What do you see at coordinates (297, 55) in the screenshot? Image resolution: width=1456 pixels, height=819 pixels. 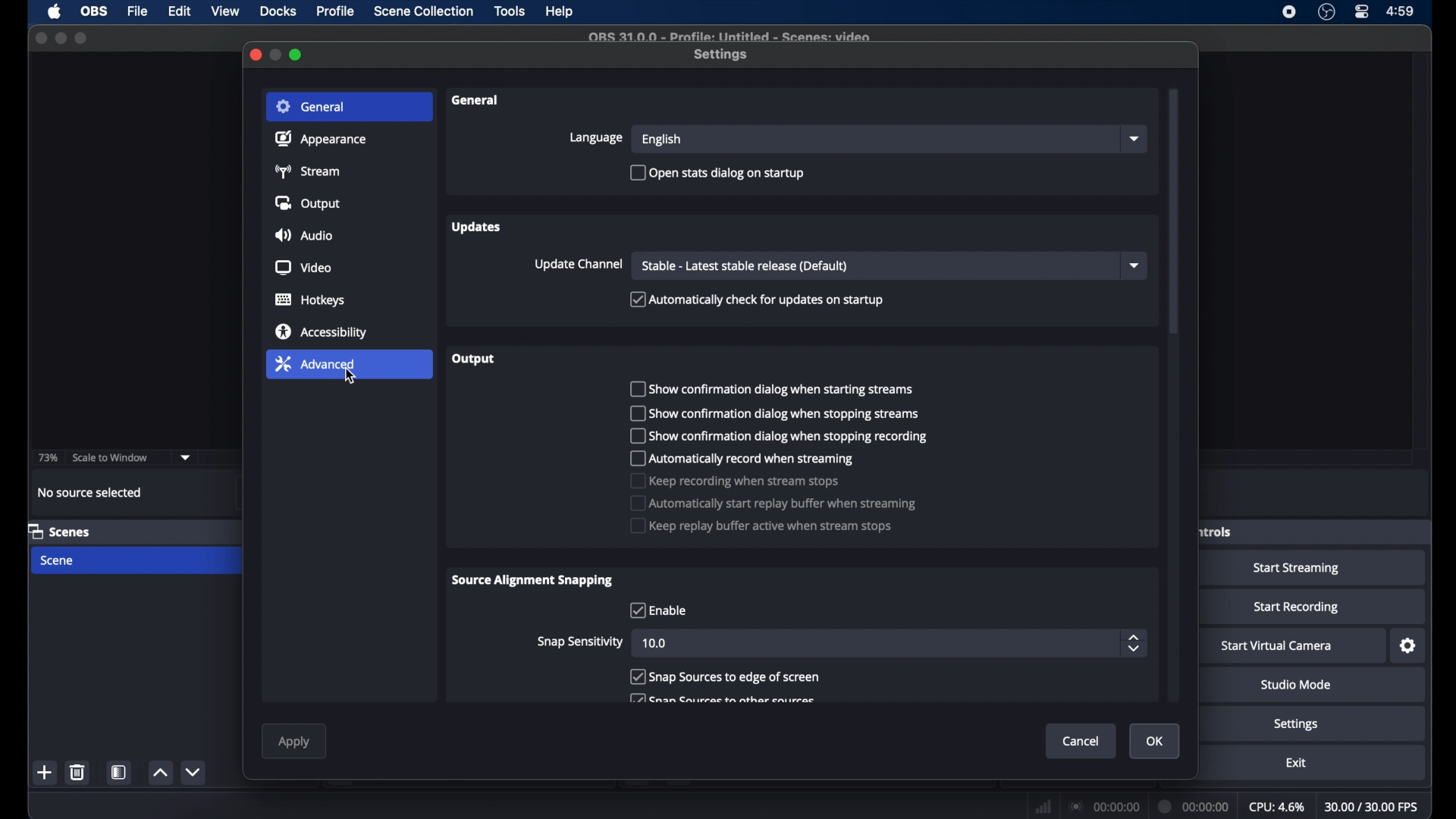 I see `maximize` at bounding box center [297, 55].